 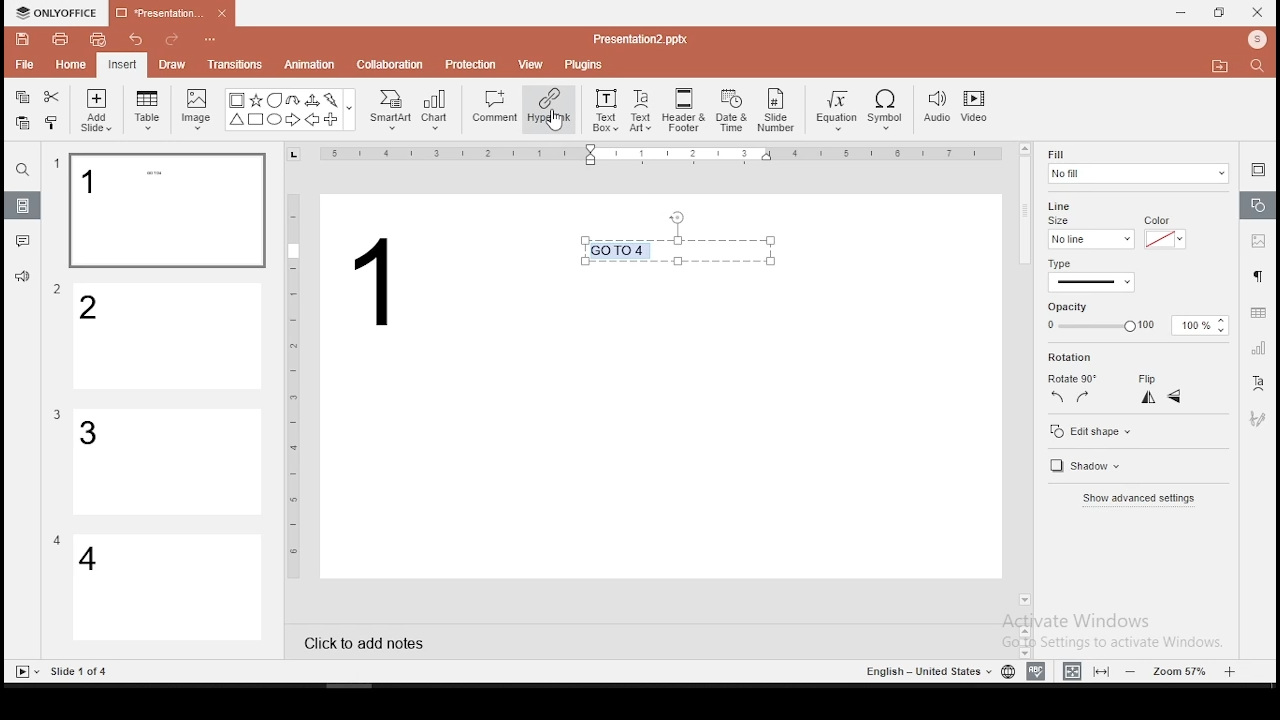 I want to click on line color, so click(x=1163, y=238).